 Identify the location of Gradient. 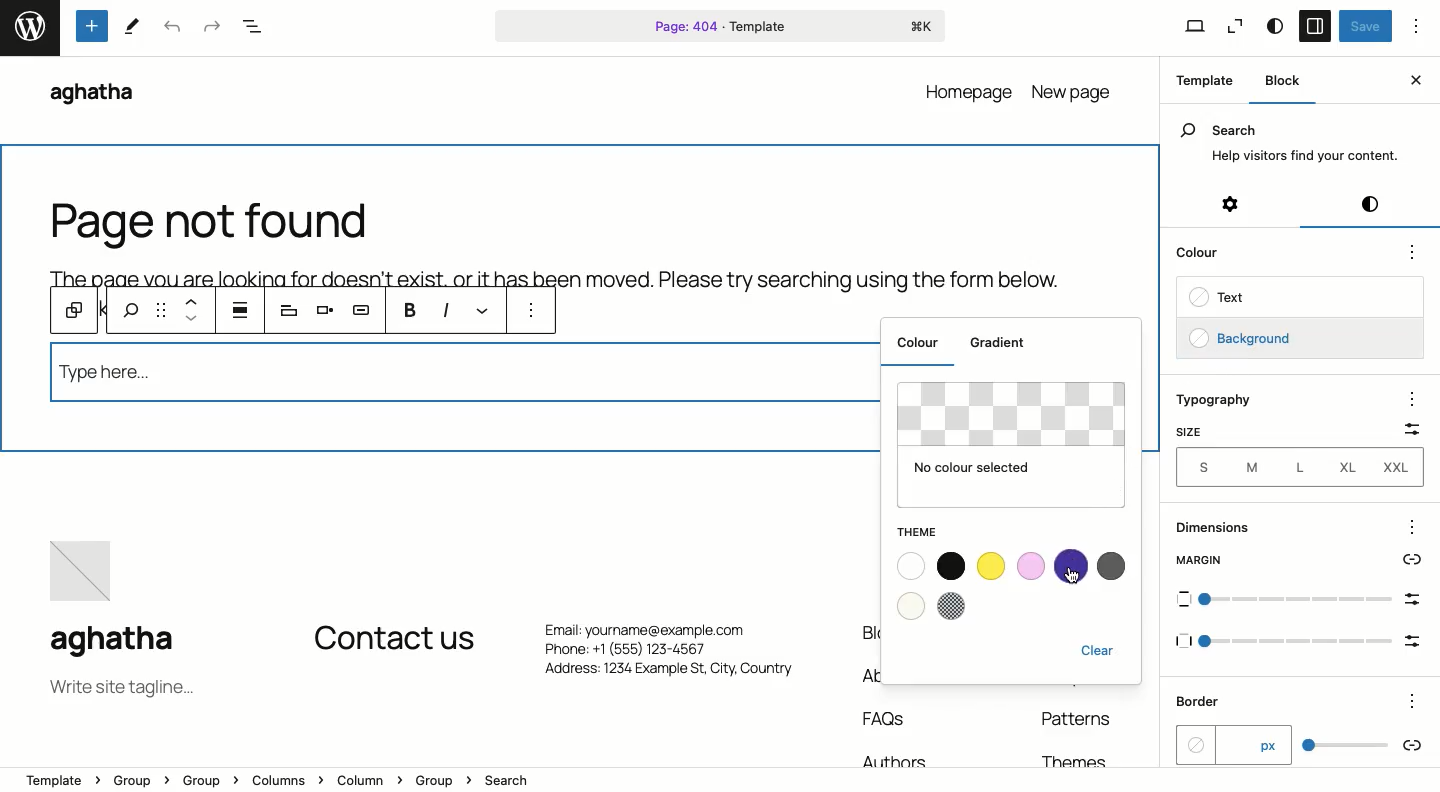
(1002, 343).